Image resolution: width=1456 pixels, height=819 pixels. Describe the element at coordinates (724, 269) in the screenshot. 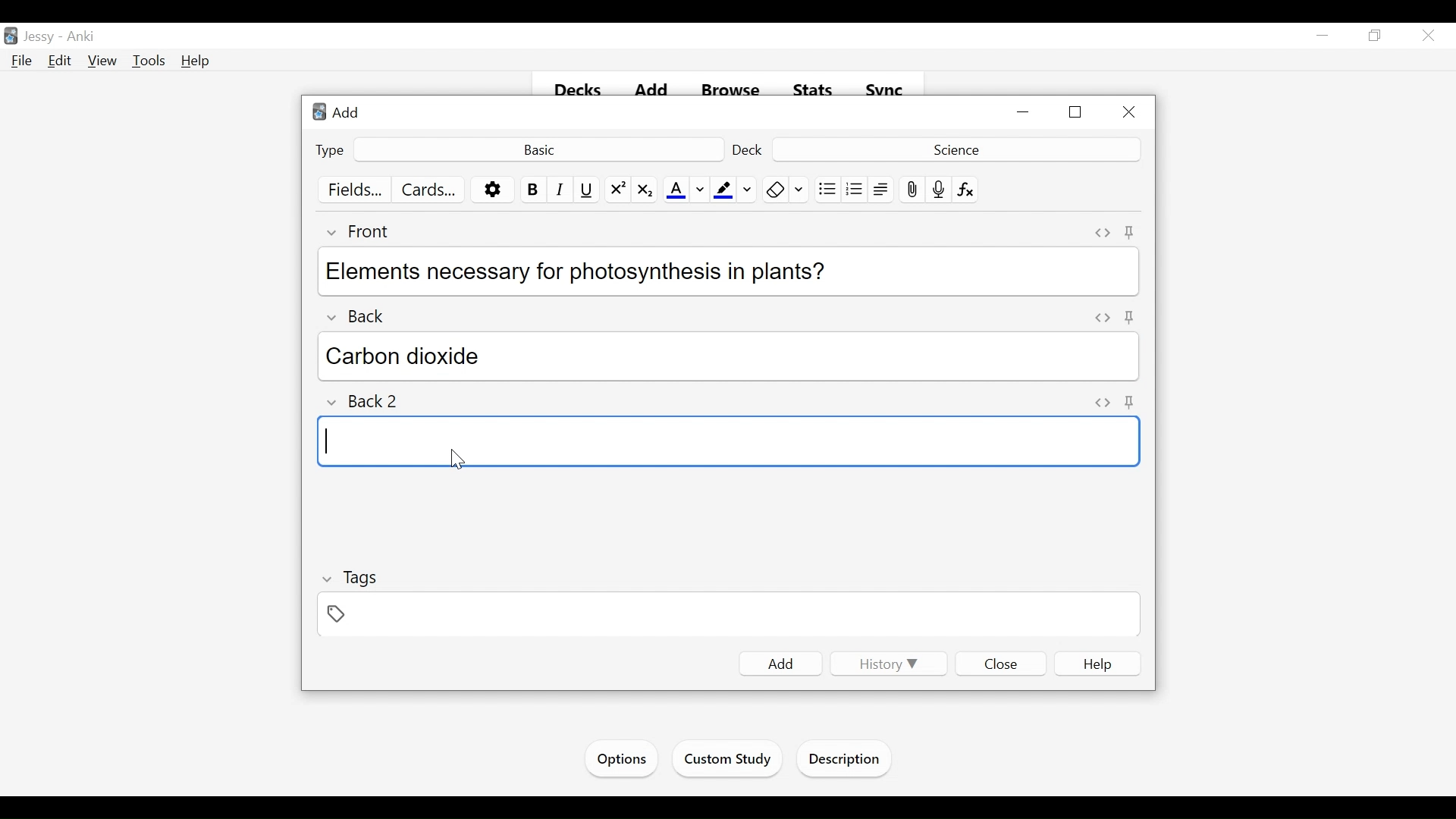

I see `Elements necessary for photosynthesis in plants?` at that location.